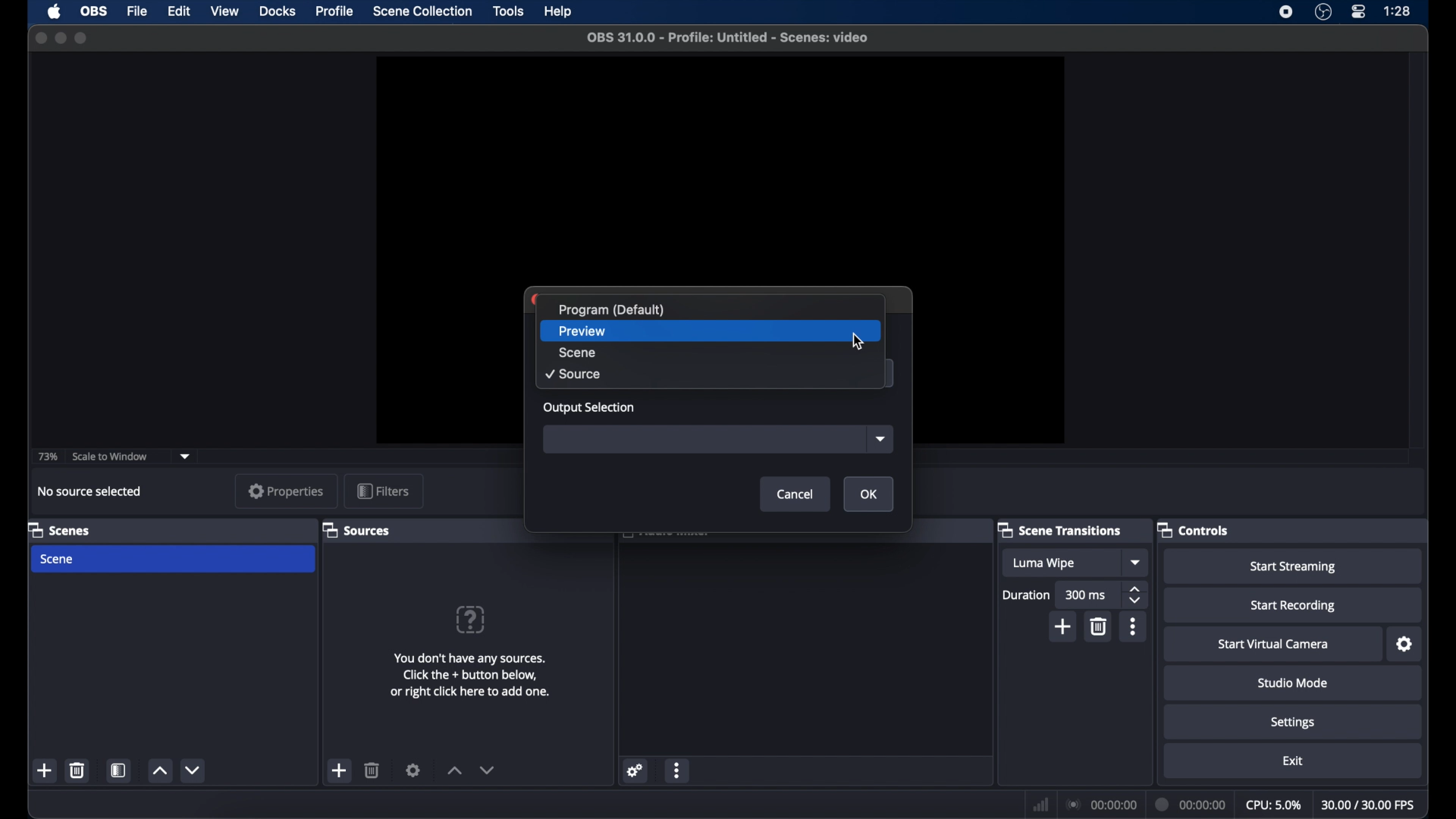 This screenshot has height=819, width=1456. Describe the element at coordinates (173, 560) in the screenshot. I see `scene` at that location.